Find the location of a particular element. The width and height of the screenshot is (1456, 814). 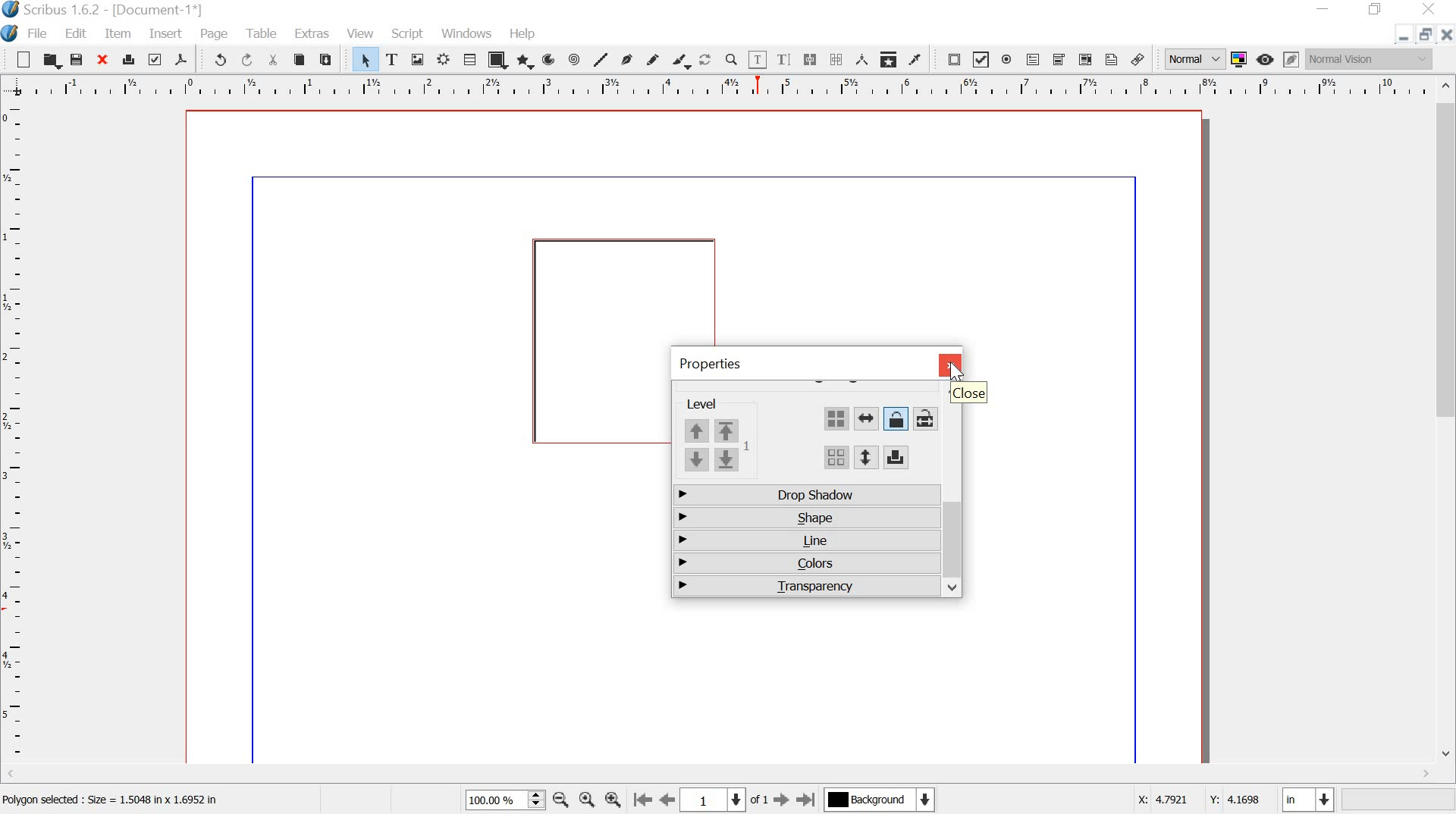

normal vision is located at coordinates (1370, 59).